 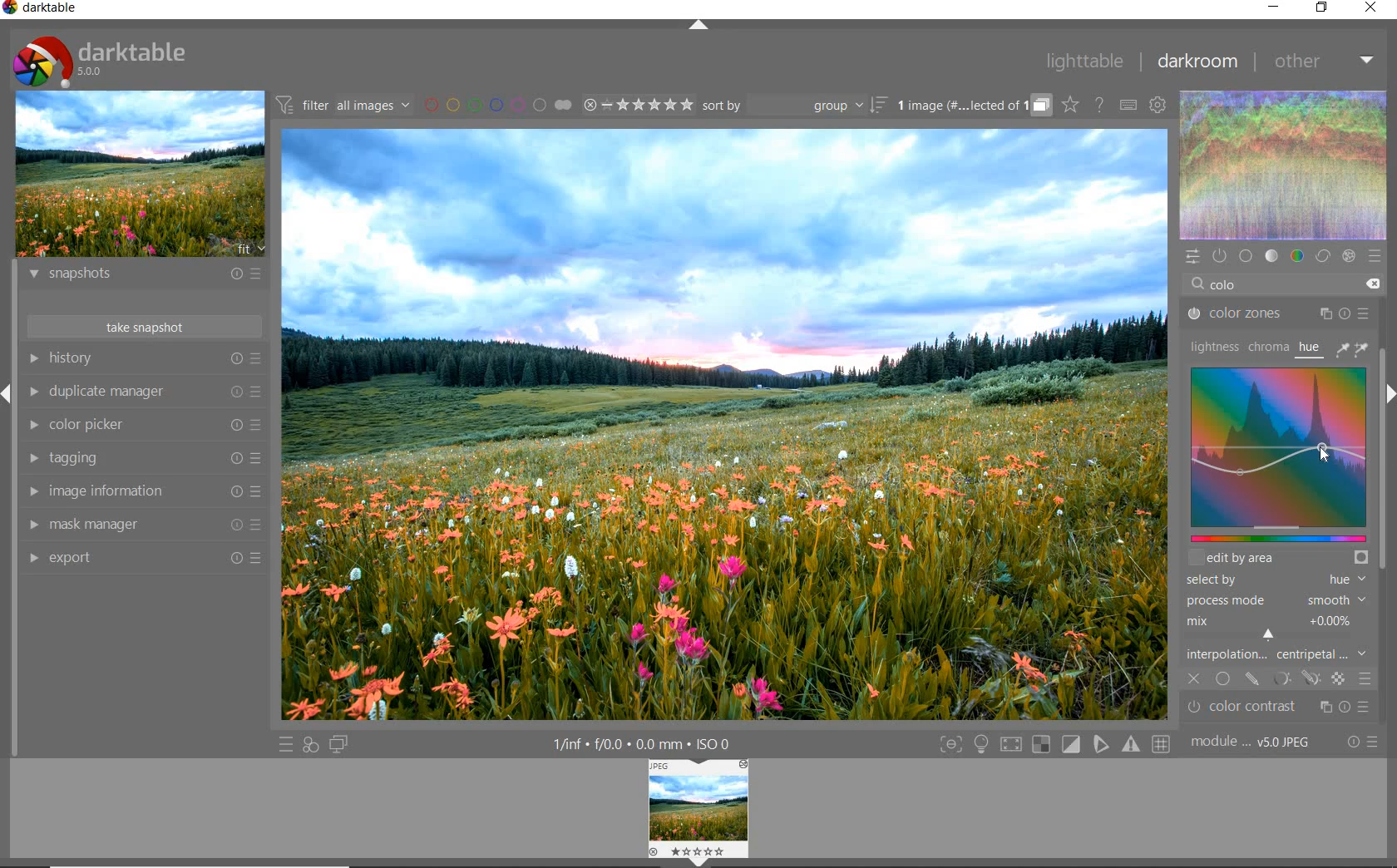 What do you see at coordinates (1214, 346) in the screenshot?
I see `lightness` at bounding box center [1214, 346].